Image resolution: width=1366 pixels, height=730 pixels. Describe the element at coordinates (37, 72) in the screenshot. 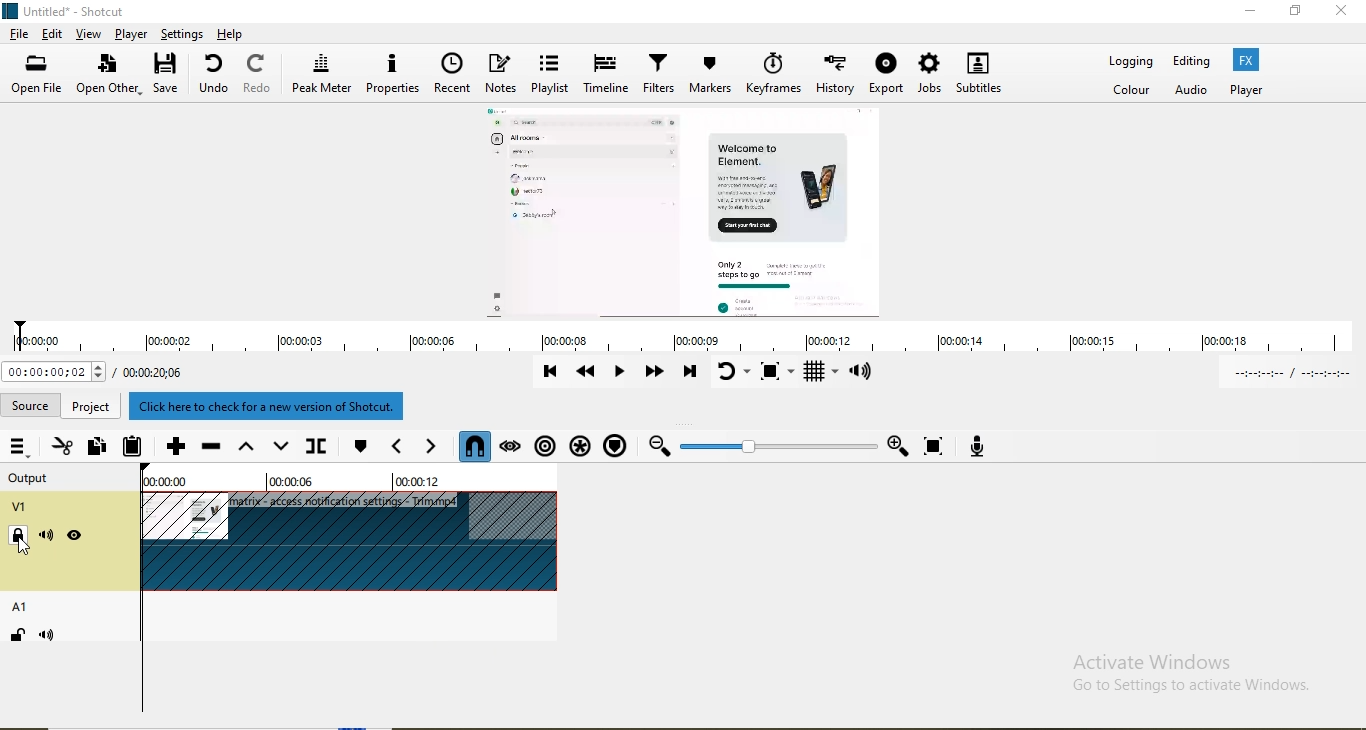

I see `Open file ` at that location.